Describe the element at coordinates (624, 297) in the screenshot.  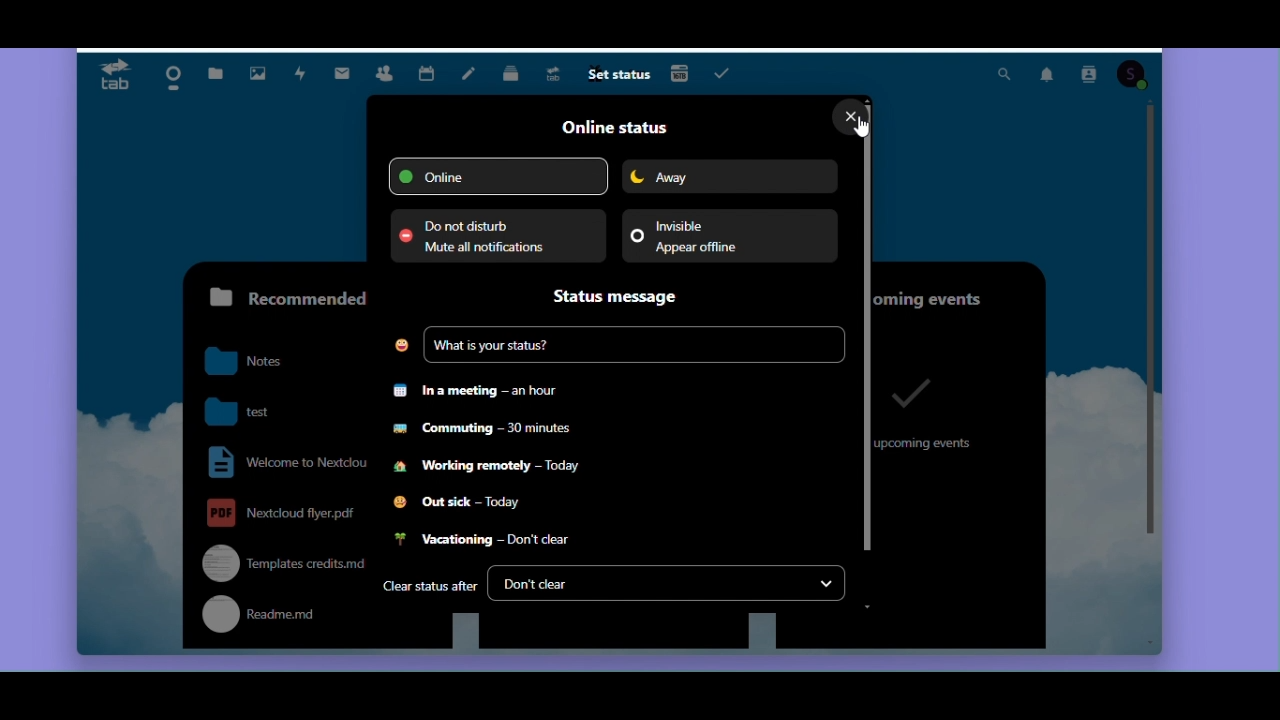
I see `Status message` at that location.